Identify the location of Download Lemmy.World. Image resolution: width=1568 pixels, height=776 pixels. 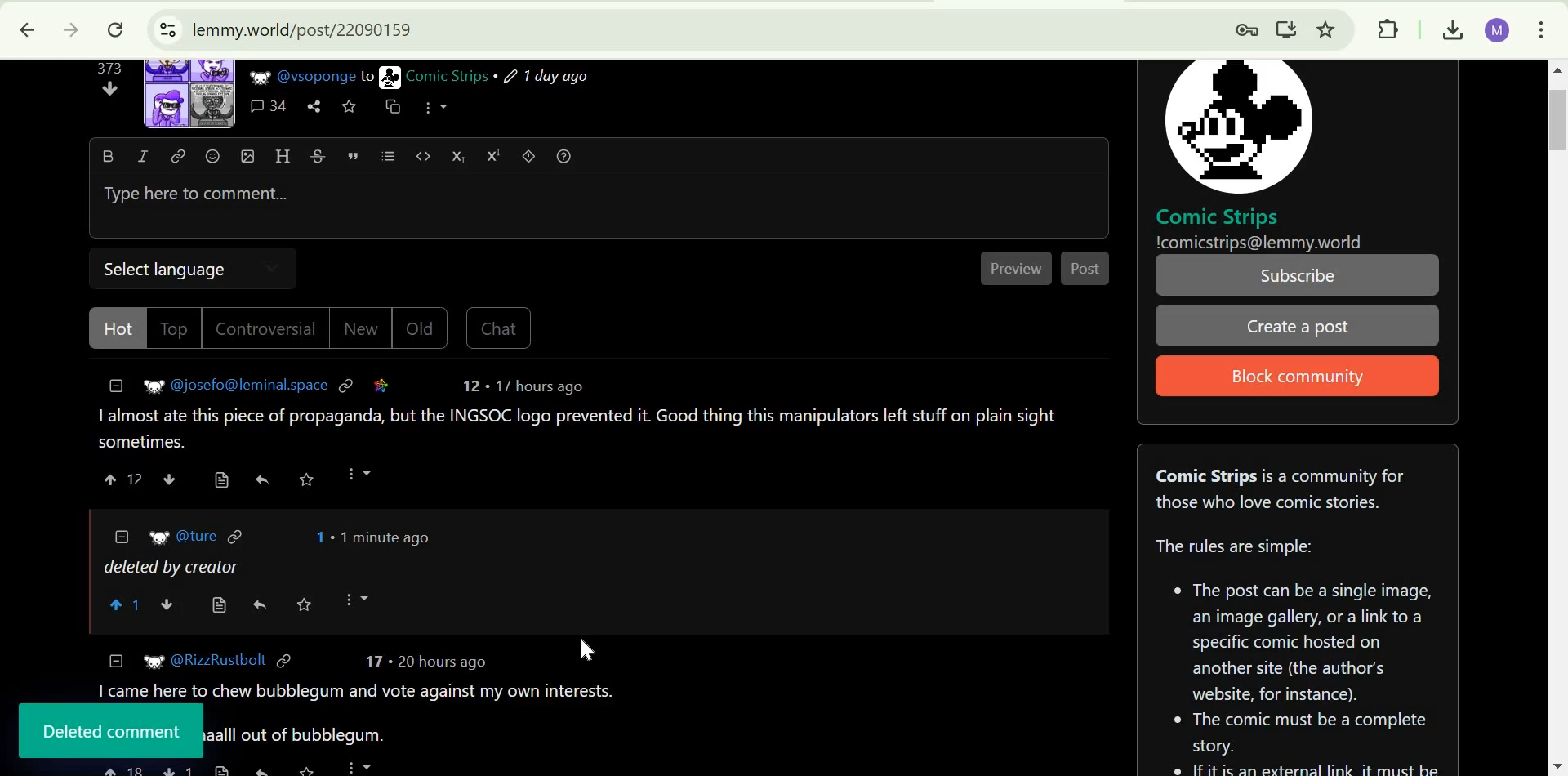
(1287, 27).